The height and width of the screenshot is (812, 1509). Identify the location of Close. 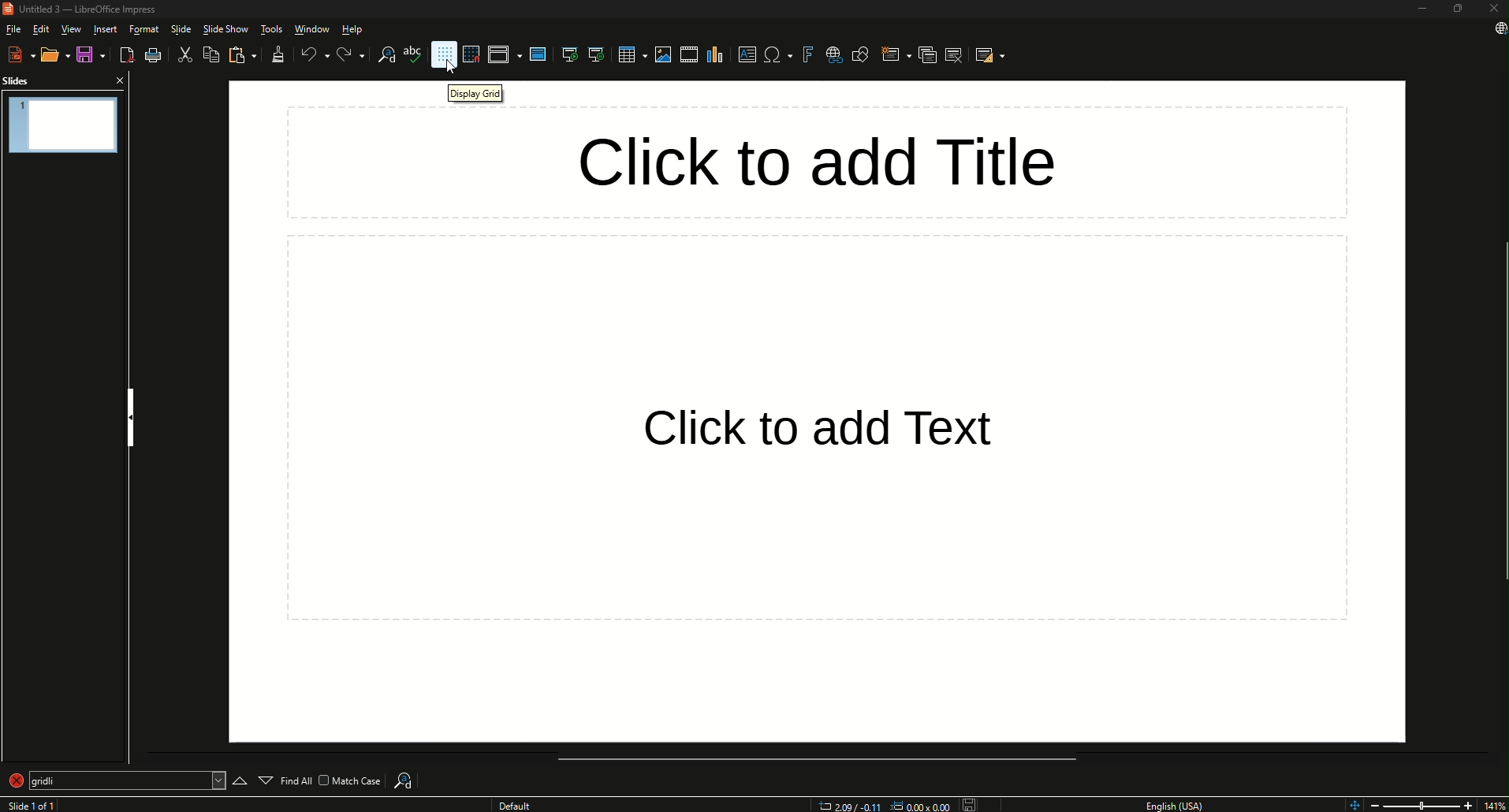
(1494, 10).